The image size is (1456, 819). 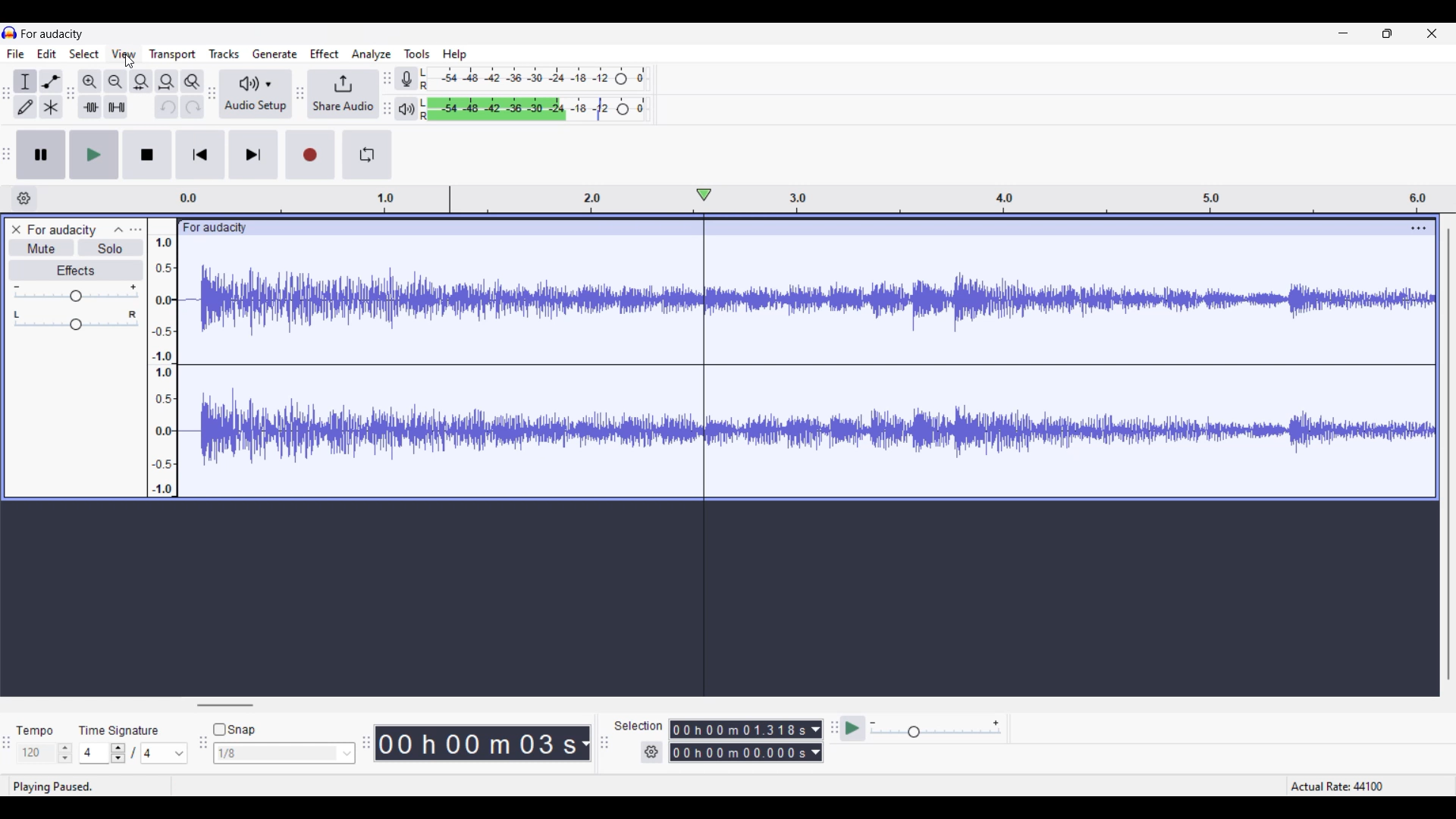 What do you see at coordinates (16, 54) in the screenshot?
I see `File menu` at bounding box center [16, 54].